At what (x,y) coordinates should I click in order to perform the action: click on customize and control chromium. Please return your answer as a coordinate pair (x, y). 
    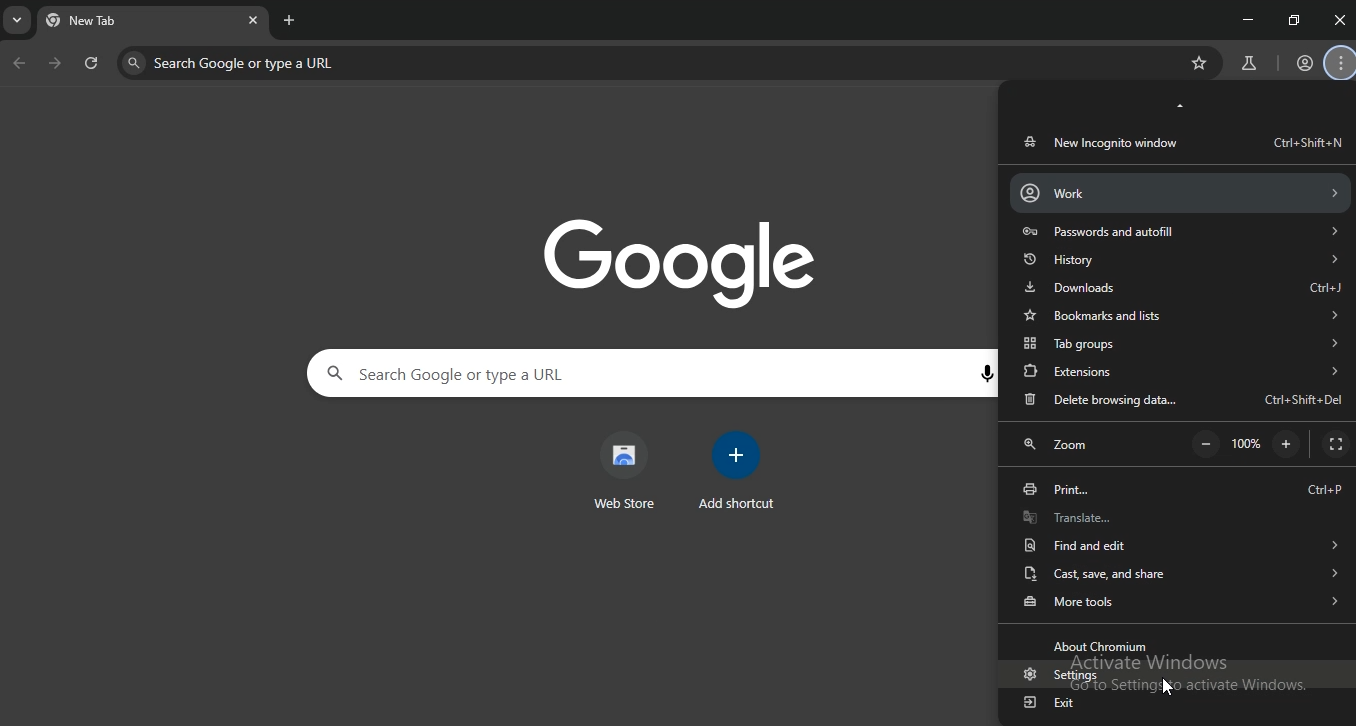
    Looking at the image, I should click on (1342, 64).